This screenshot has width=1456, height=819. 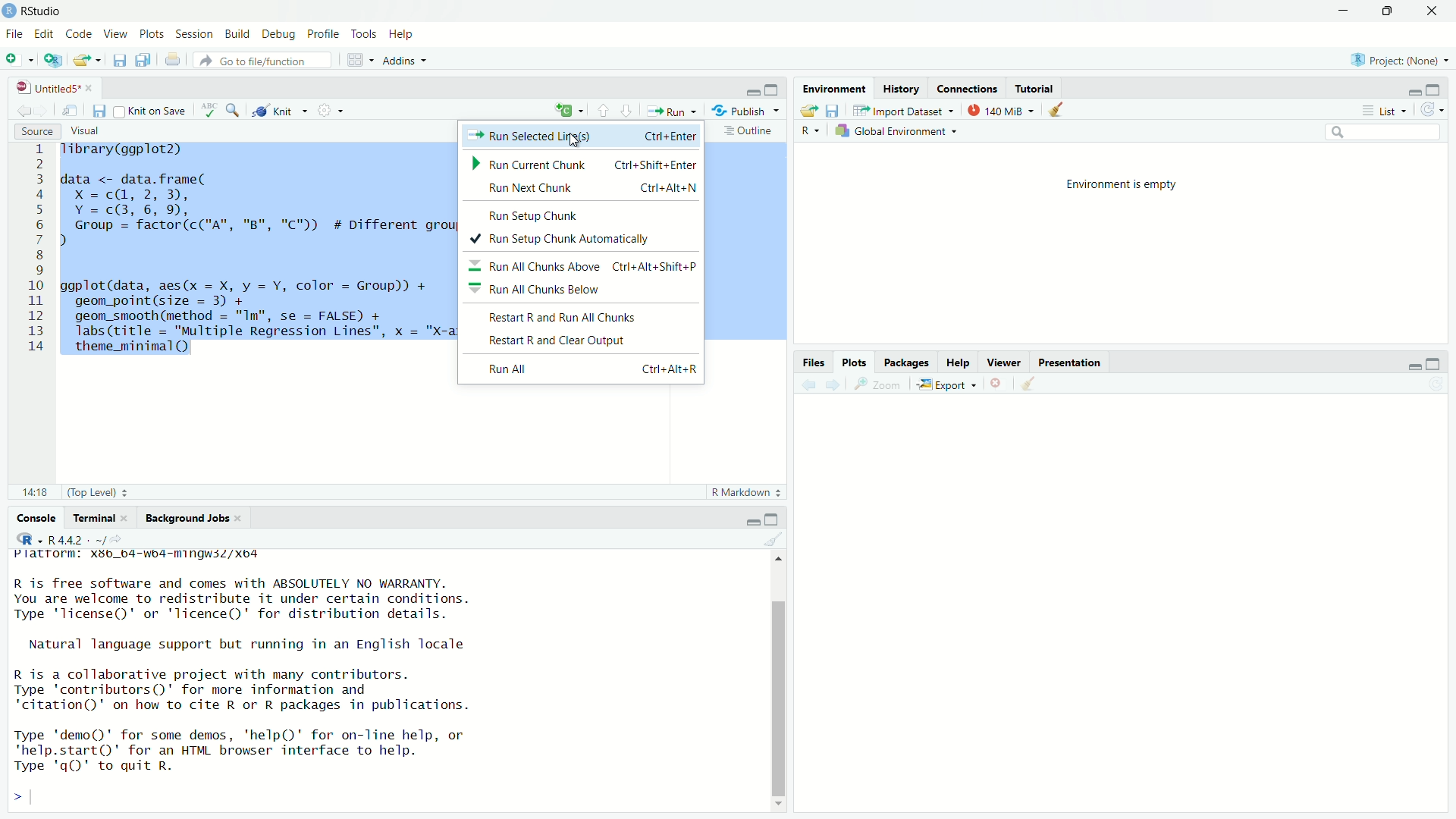 What do you see at coordinates (809, 110) in the screenshot?
I see `export` at bounding box center [809, 110].